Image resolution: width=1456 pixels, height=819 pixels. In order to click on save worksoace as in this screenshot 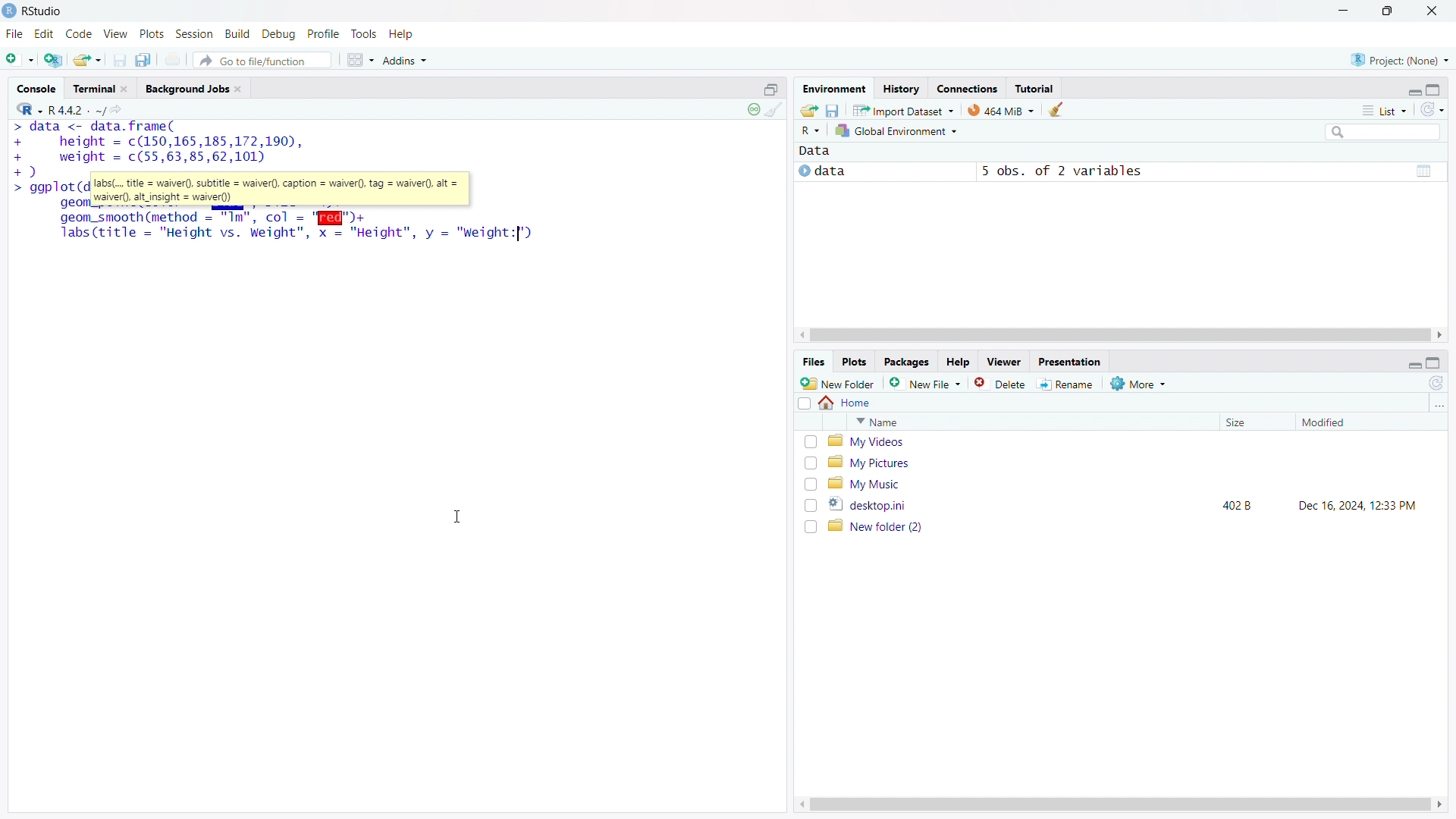, I will do `click(833, 109)`.